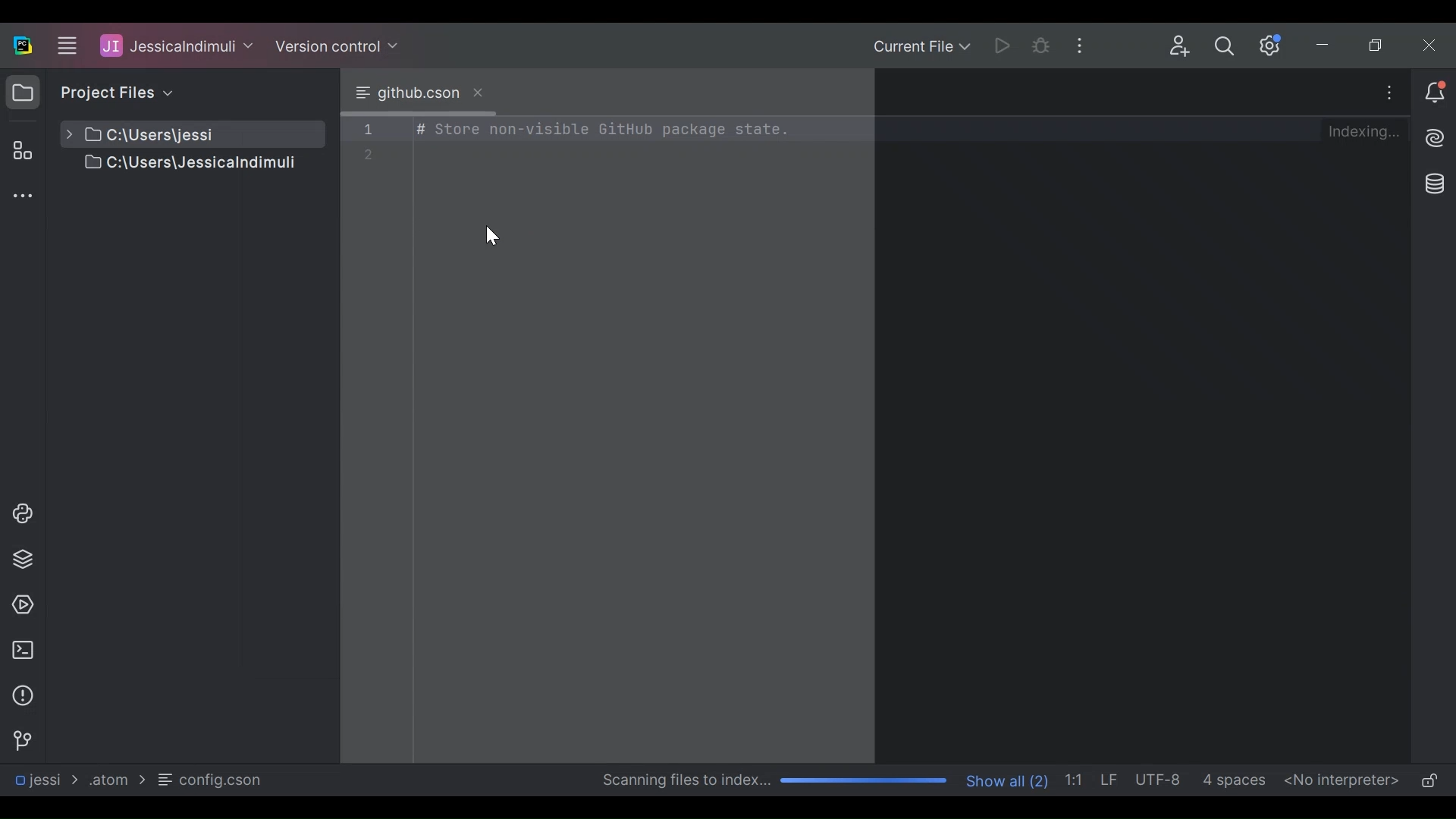 The width and height of the screenshot is (1456, 819). What do you see at coordinates (23, 45) in the screenshot?
I see `PyCharm` at bounding box center [23, 45].